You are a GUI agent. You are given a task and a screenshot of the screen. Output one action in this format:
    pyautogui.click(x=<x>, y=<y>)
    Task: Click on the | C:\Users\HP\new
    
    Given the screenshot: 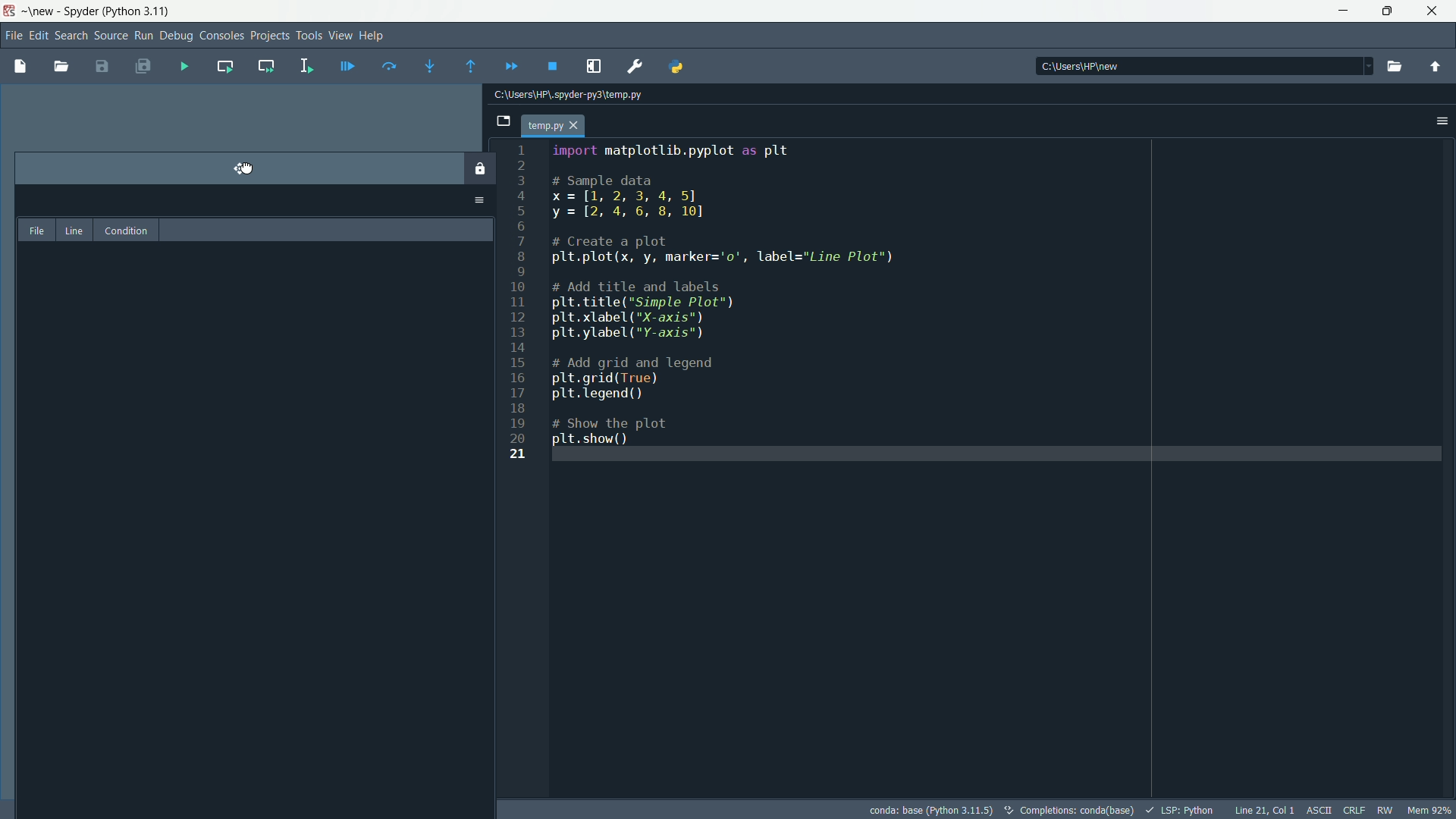 What is the action you would take?
    pyautogui.click(x=1108, y=65)
    